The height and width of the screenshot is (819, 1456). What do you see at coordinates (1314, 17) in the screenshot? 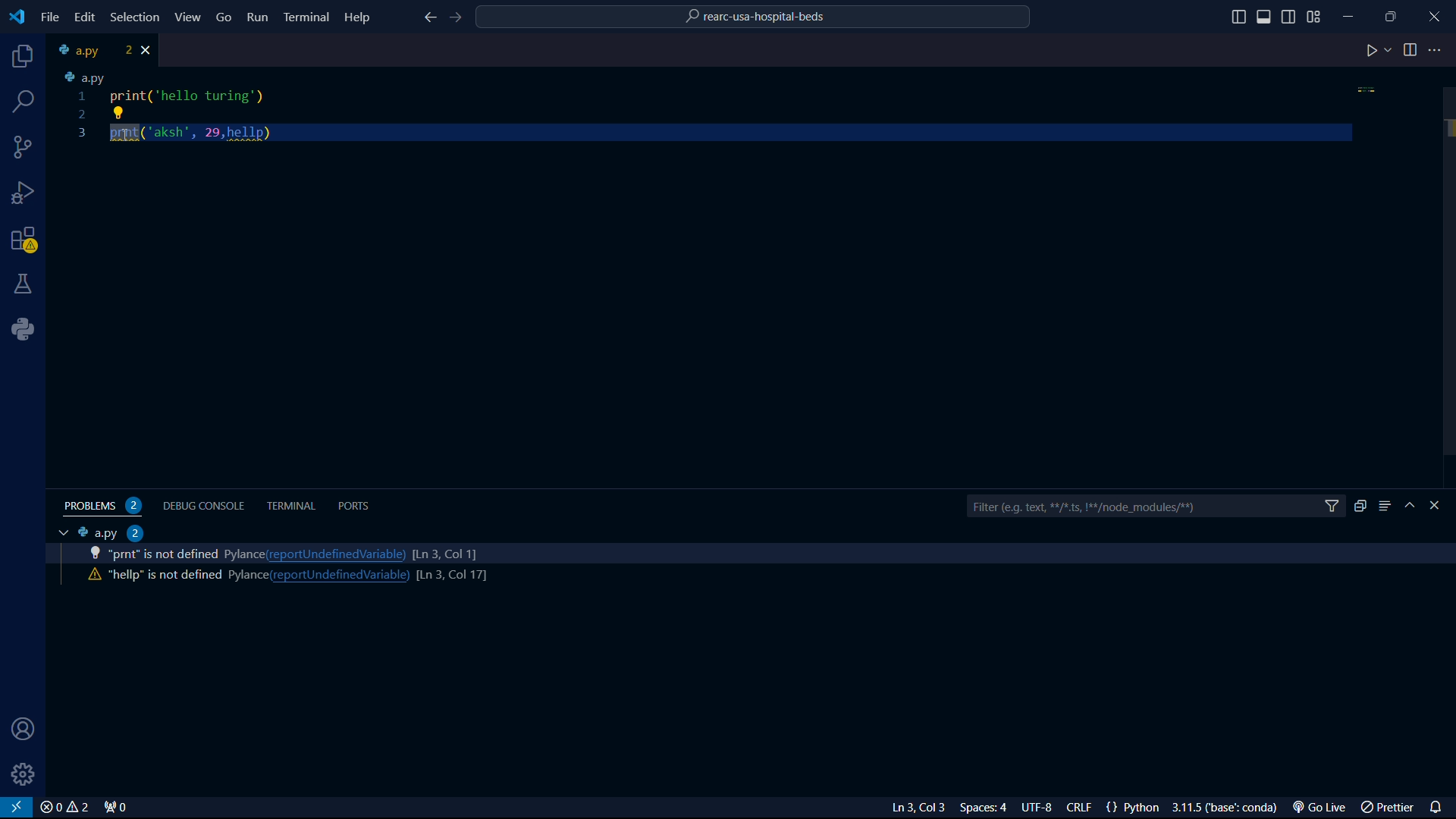
I see `grid view` at bounding box center [1314, 17].